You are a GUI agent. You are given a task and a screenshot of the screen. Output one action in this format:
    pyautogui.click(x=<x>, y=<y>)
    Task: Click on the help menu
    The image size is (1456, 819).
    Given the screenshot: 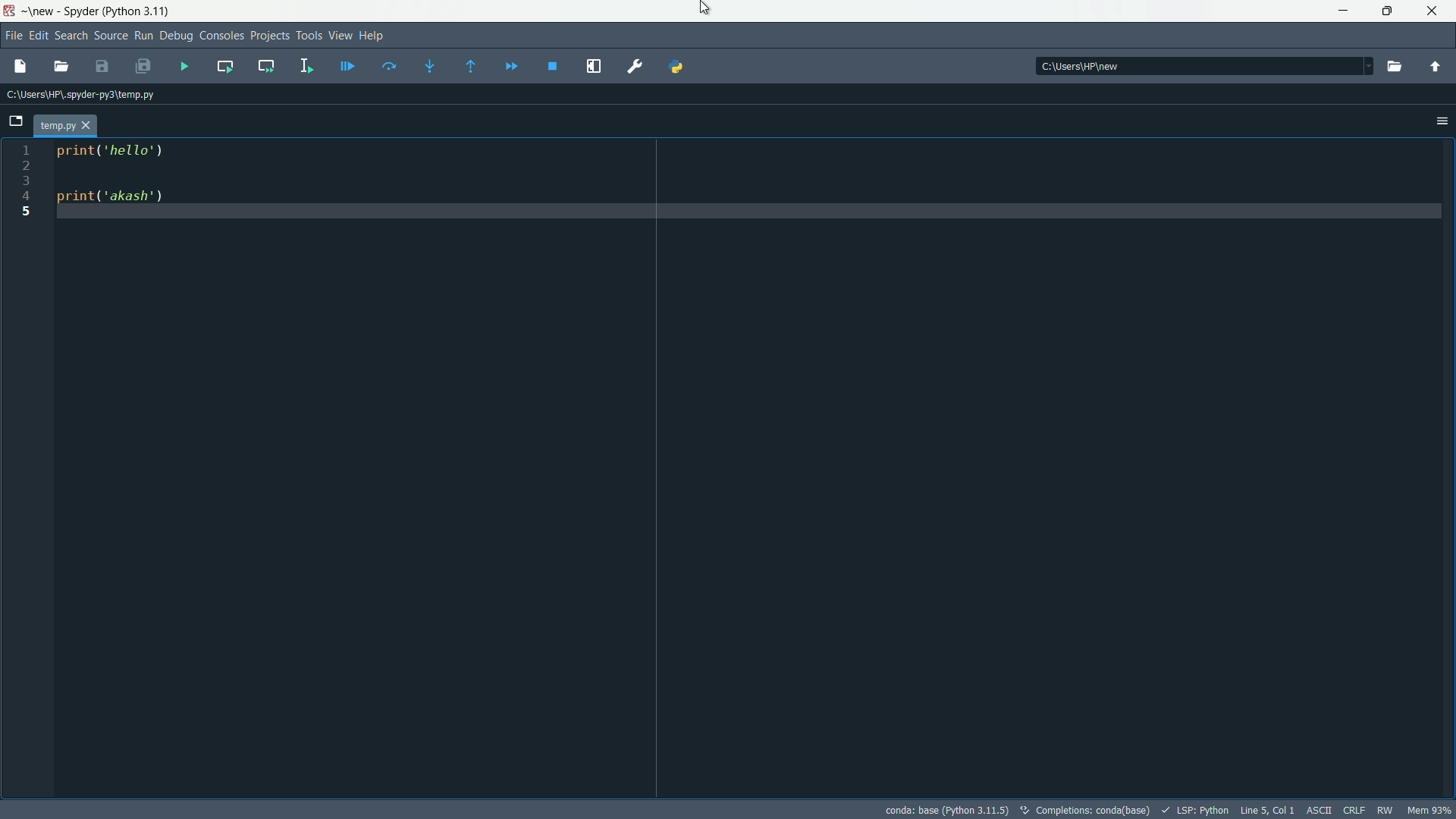 What is the action you would take?
    pyautogui.click(x=372, y=36)
    